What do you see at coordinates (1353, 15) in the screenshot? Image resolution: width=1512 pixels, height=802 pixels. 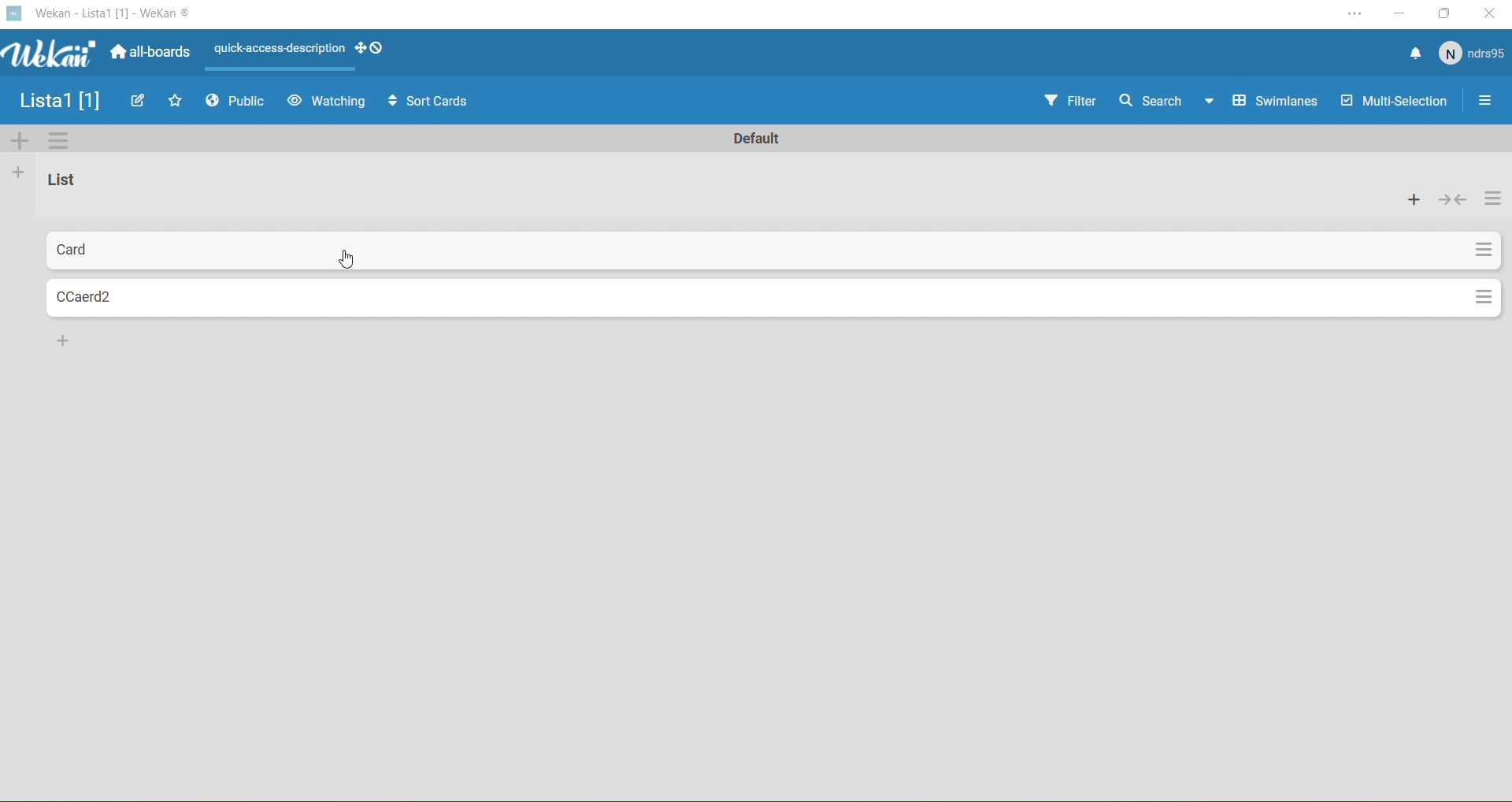 I see `Settings and more` at bounding box center [1353, 15].